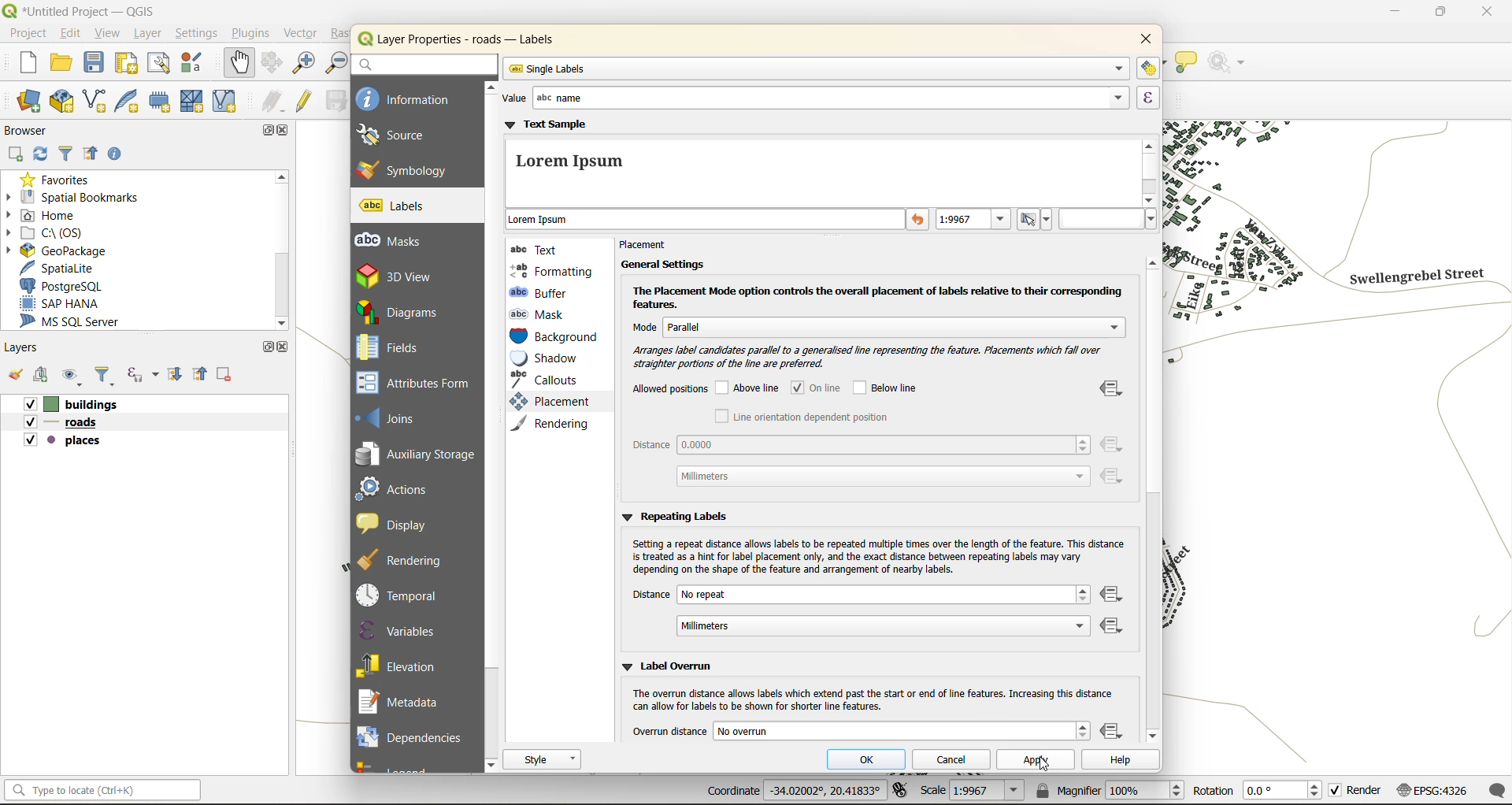  What do you see at coordinates (821, 162) in the screenshot?
I see `text sample` at bounding box center [821, 162].